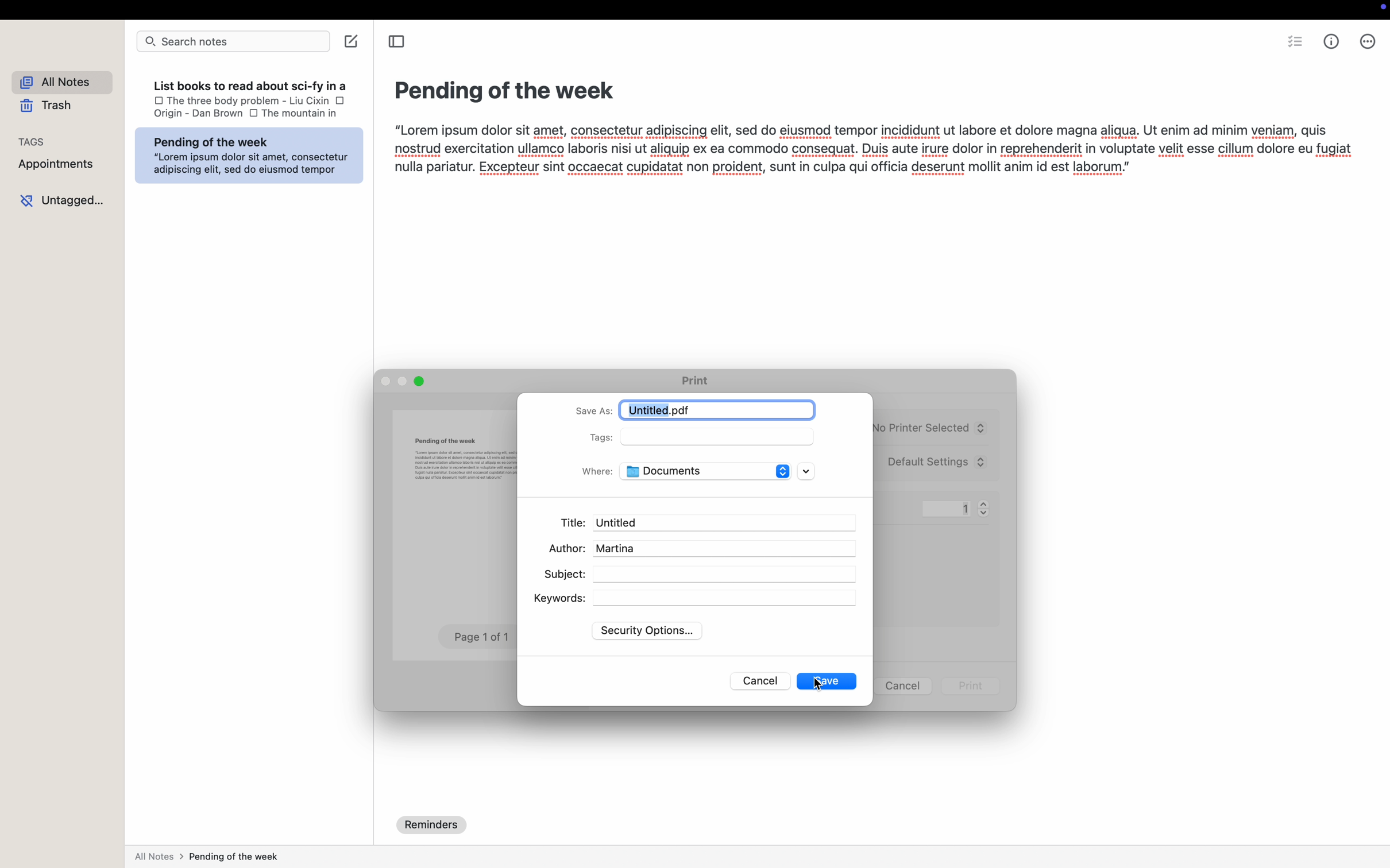 Image resolution: width=1390 pixels, height=868 pixels. What do you see at coordinates (564, 576) in the screenshot?
I see `subject` at bounding box center [564, 576].